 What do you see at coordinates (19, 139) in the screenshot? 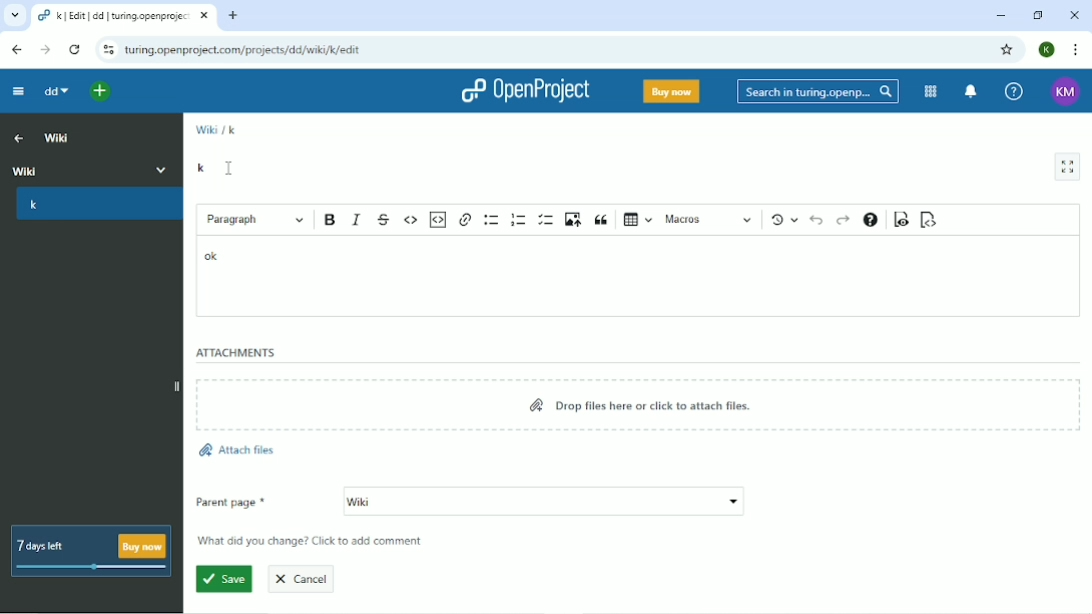
I see `Up` at bounding box center [19, 139].